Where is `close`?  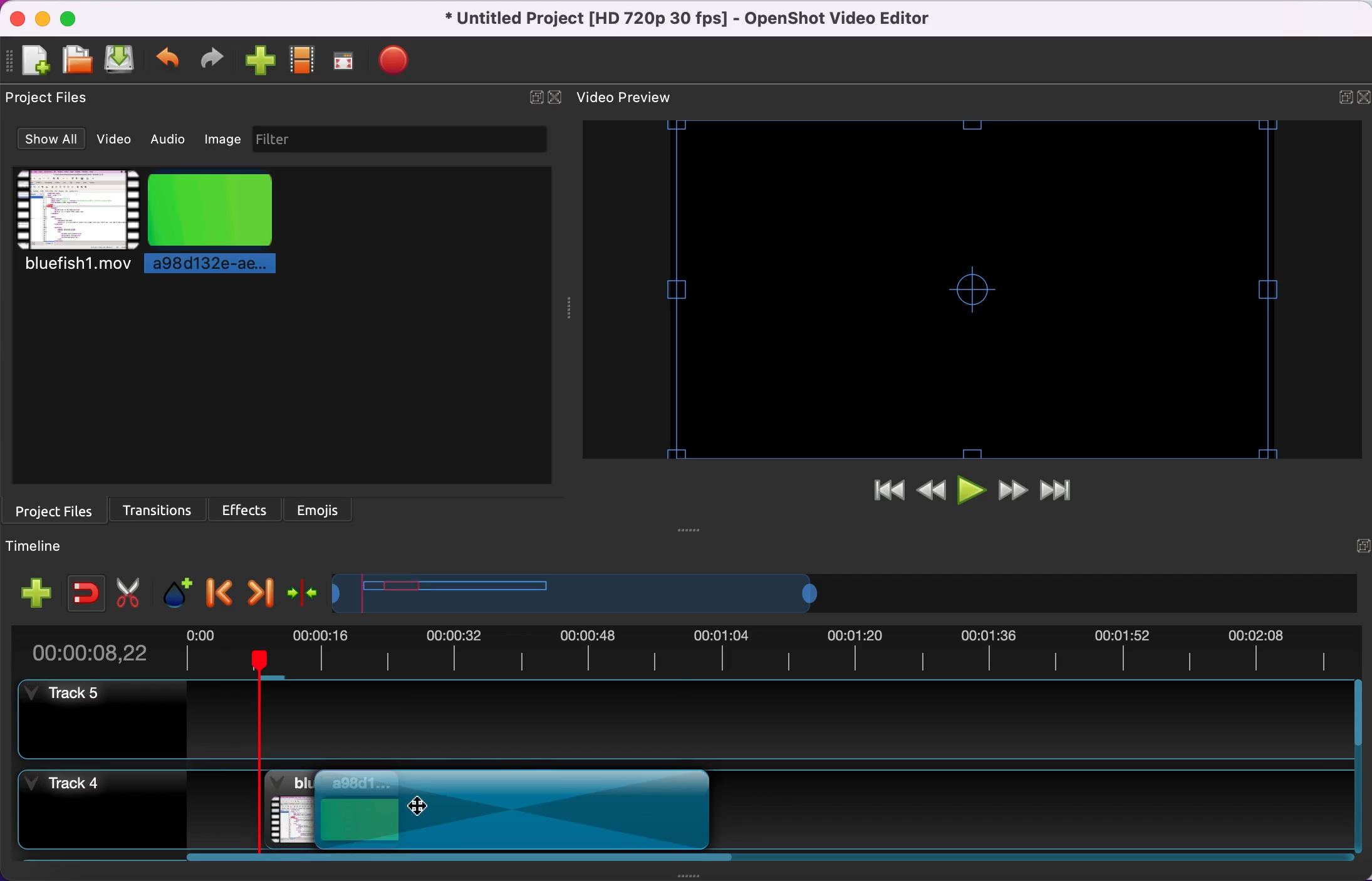
close is located at coordinates (558, 98).